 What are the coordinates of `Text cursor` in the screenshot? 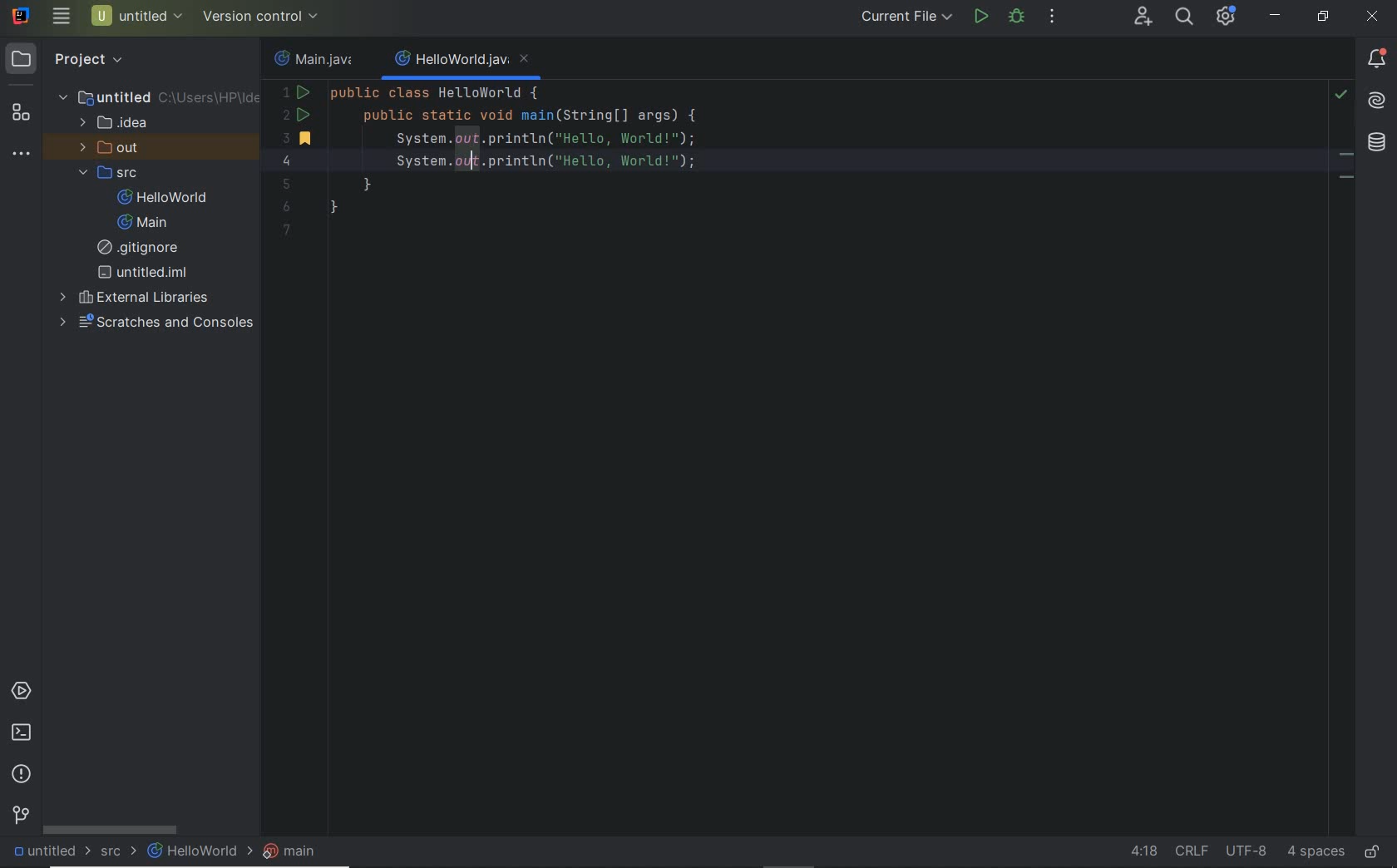 It's located at (483, 169).